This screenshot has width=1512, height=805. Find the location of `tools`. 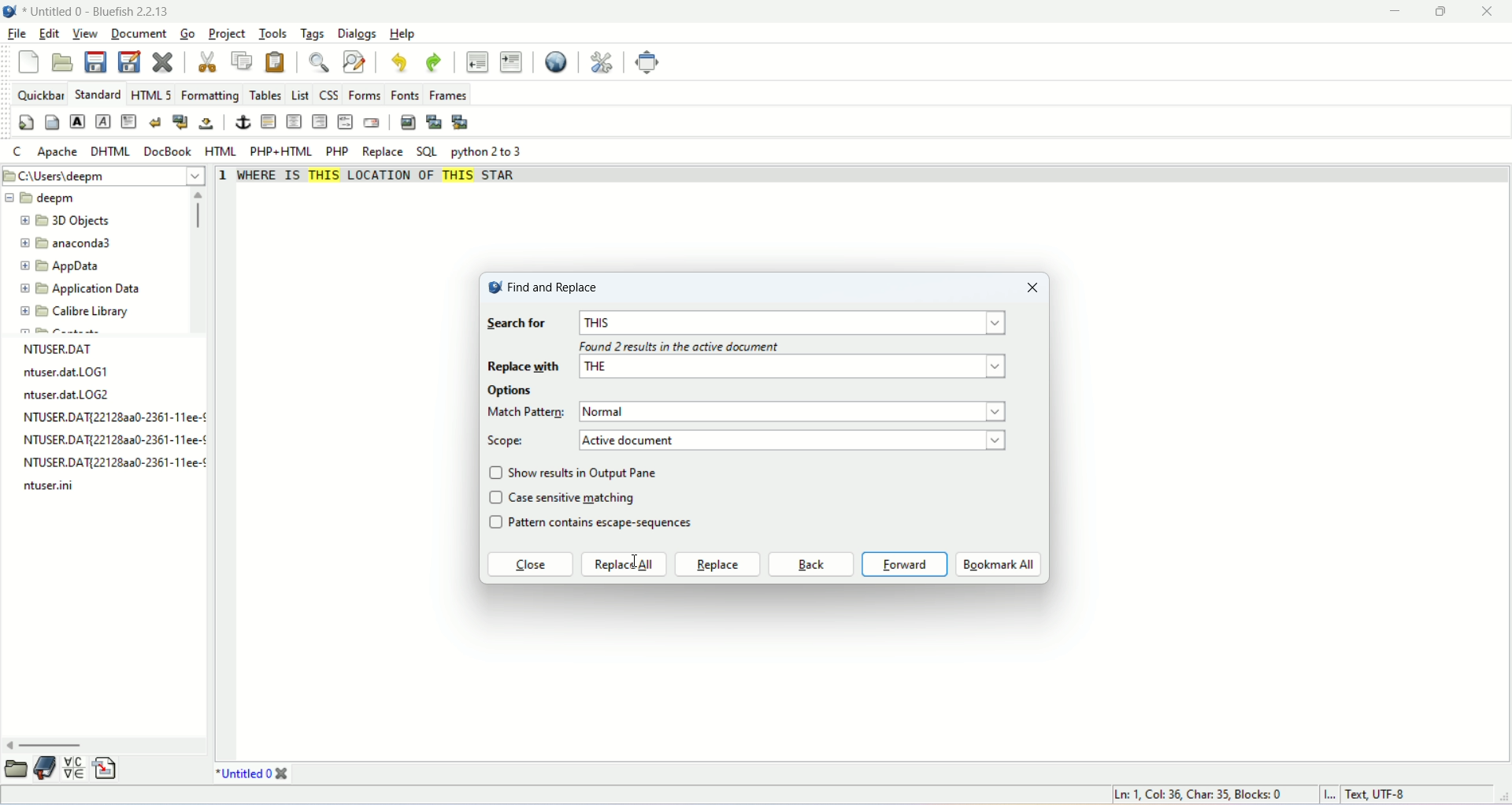

tools is located at coordinates (270, 35).